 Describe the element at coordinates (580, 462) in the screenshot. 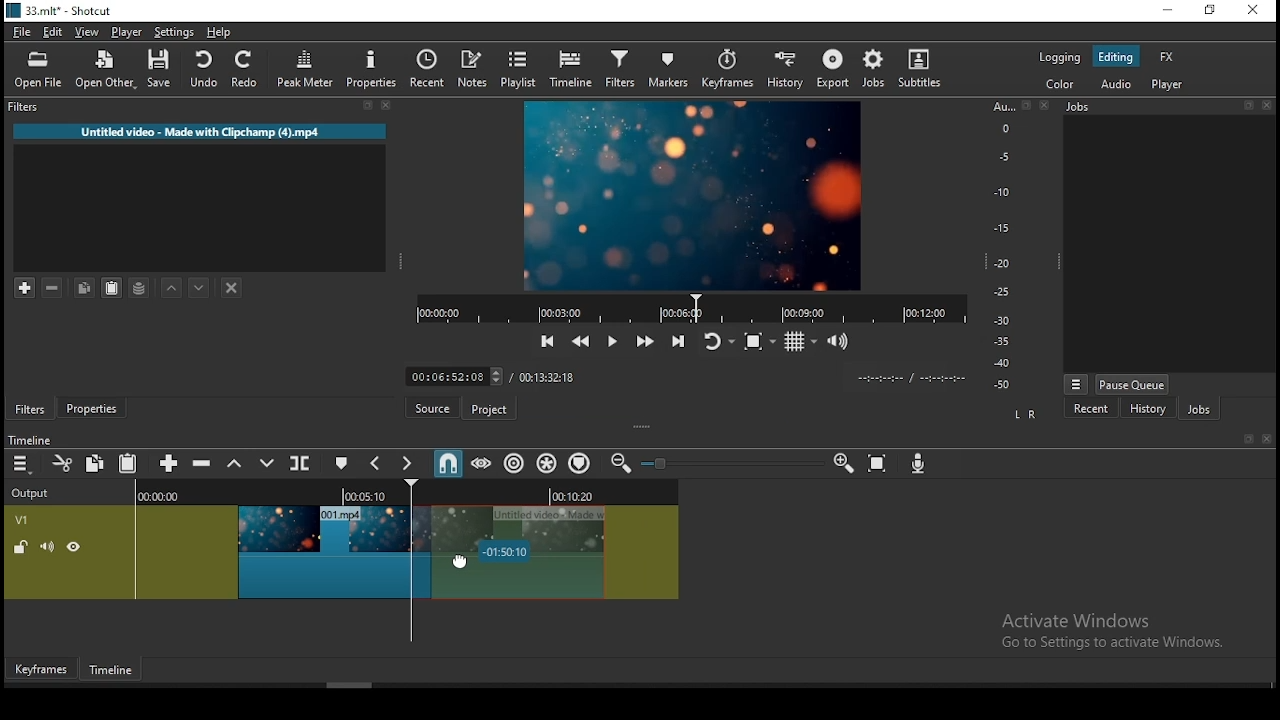

I see `ripple markers` at that location.